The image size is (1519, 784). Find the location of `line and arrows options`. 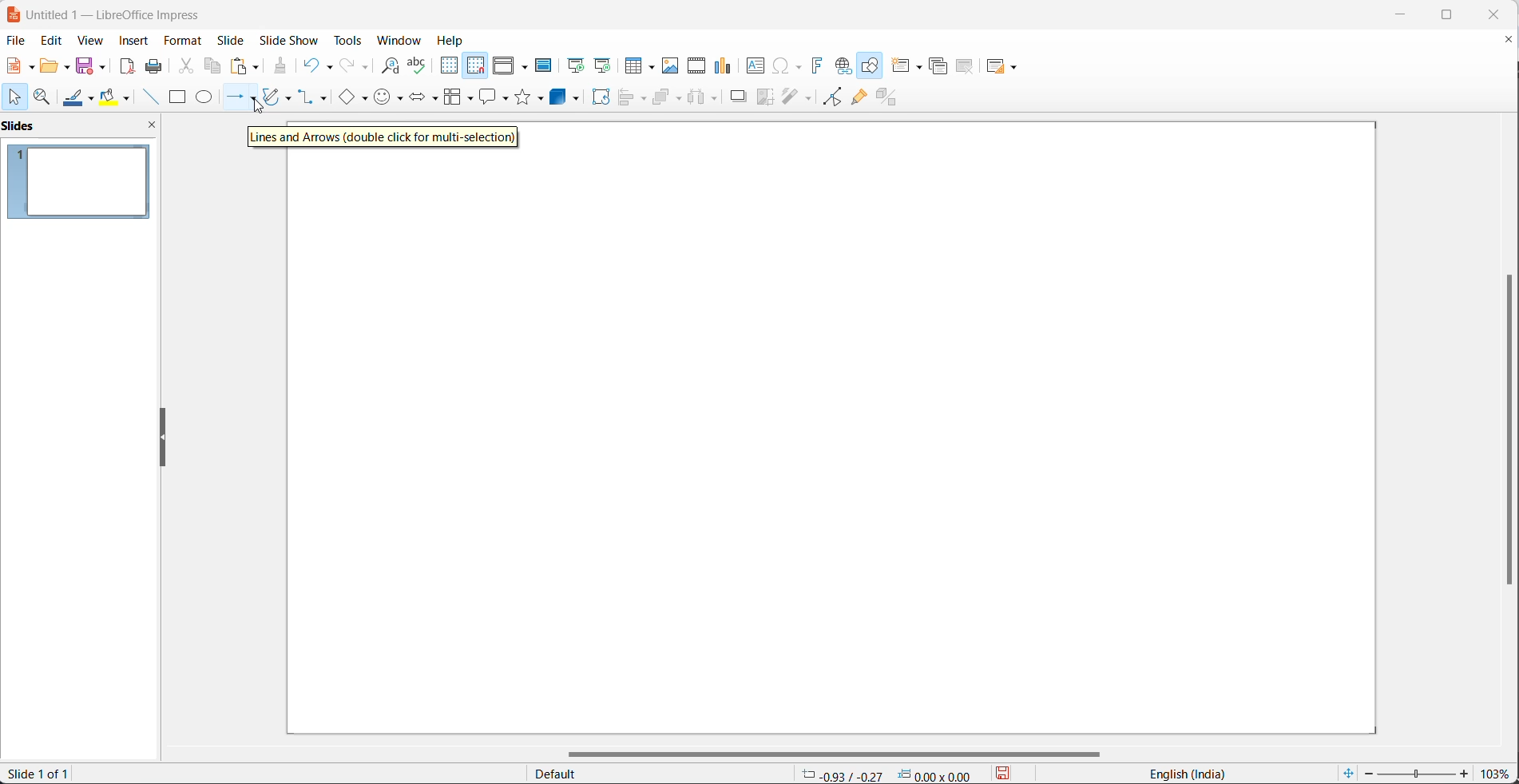

line and arrows options is located at coordinates (256, 99).